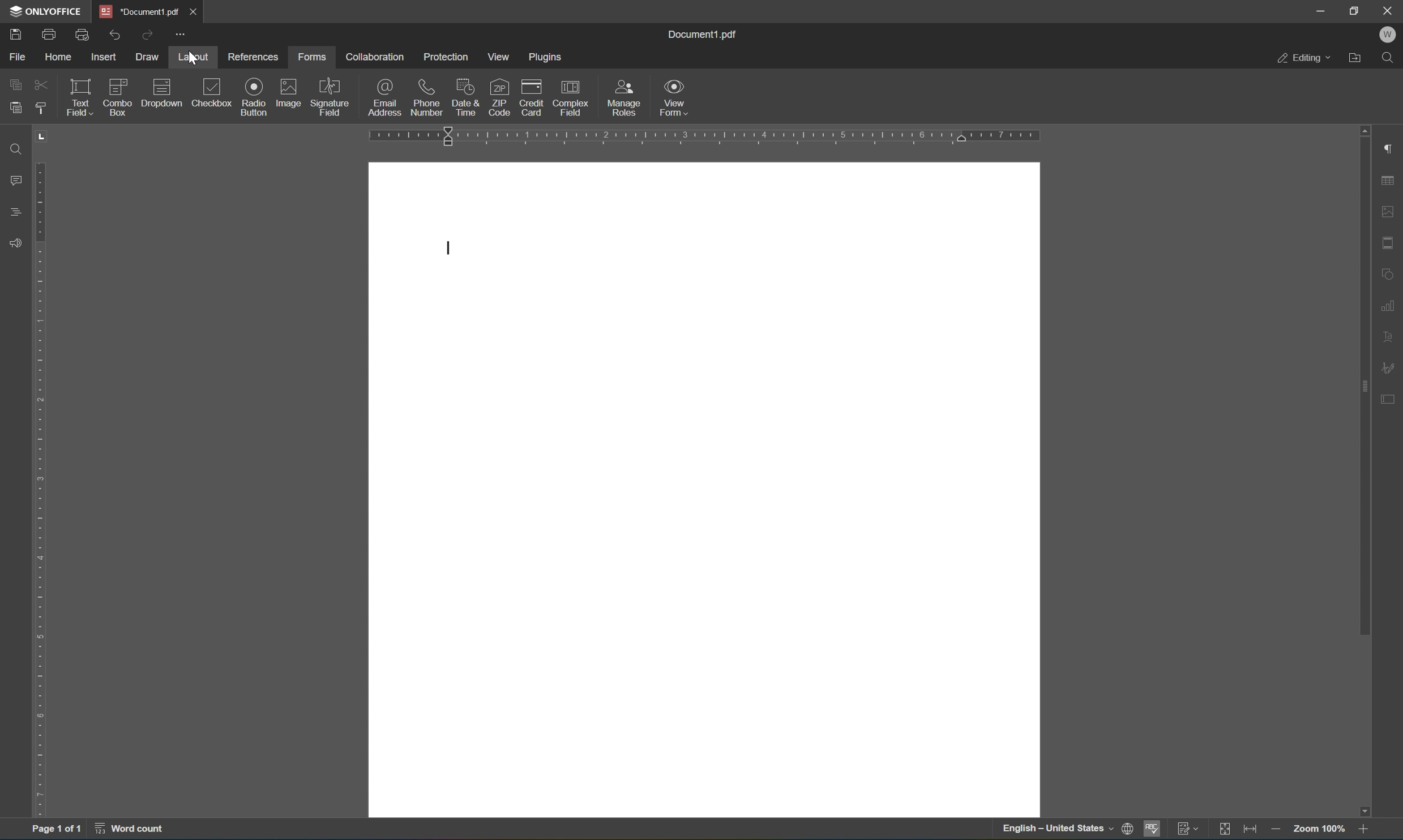 This screenshot has height=840, width=1403. Describe the element at coordinates (625, 98) in the screenshot. I see `manage rules` at that location.